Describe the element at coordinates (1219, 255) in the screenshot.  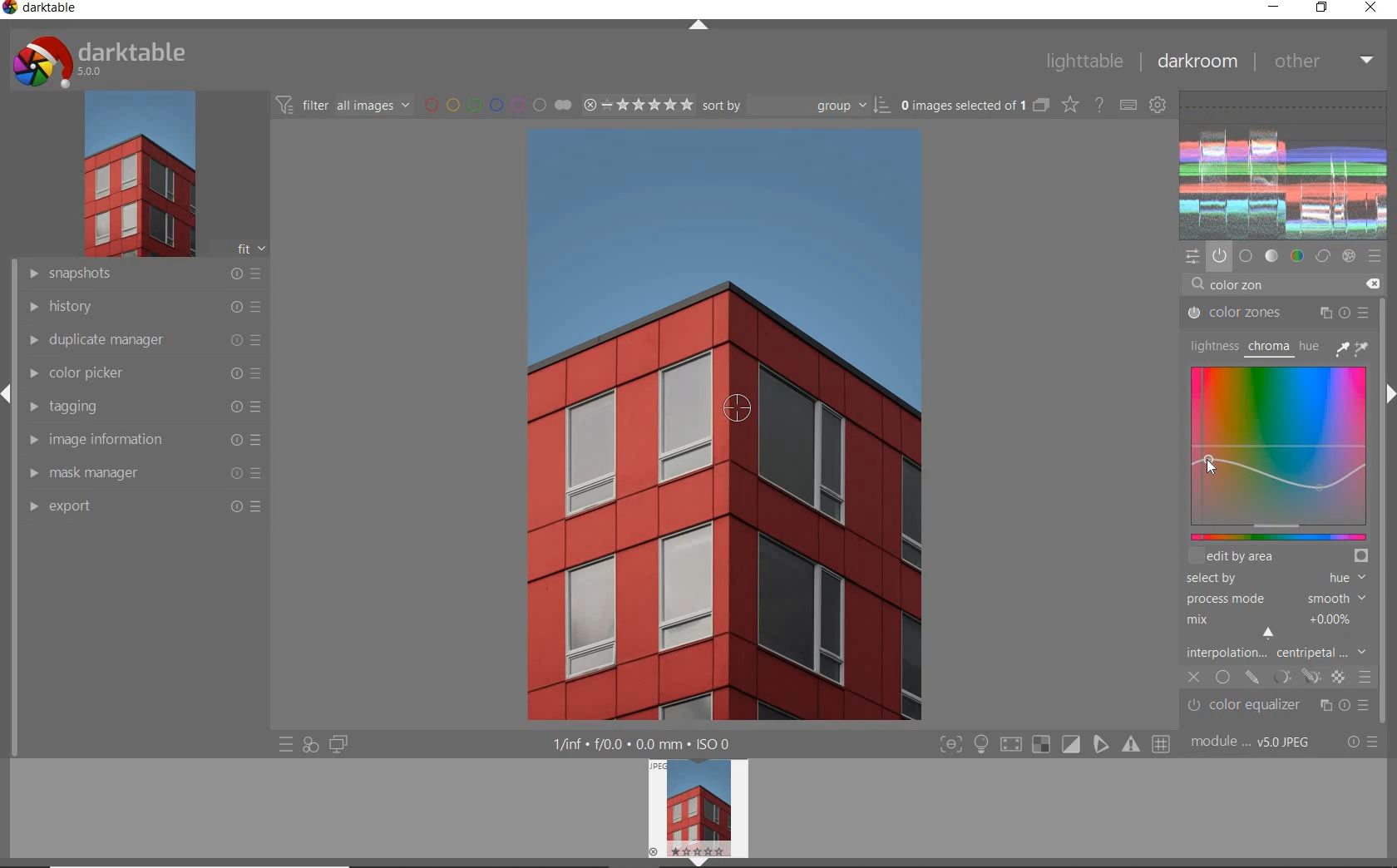
I see `show only active modules` at that location.